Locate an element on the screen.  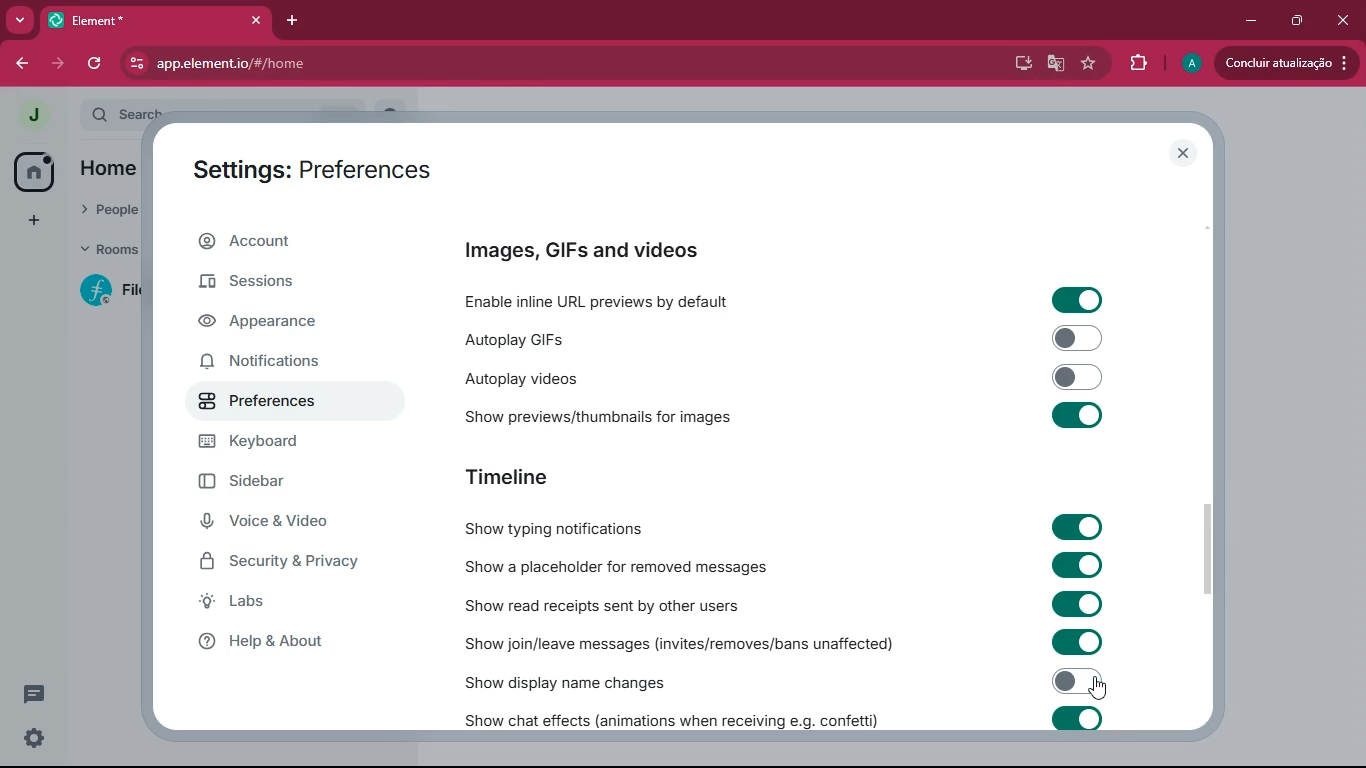
toggle on/off is located at coordinates (1079, 527).